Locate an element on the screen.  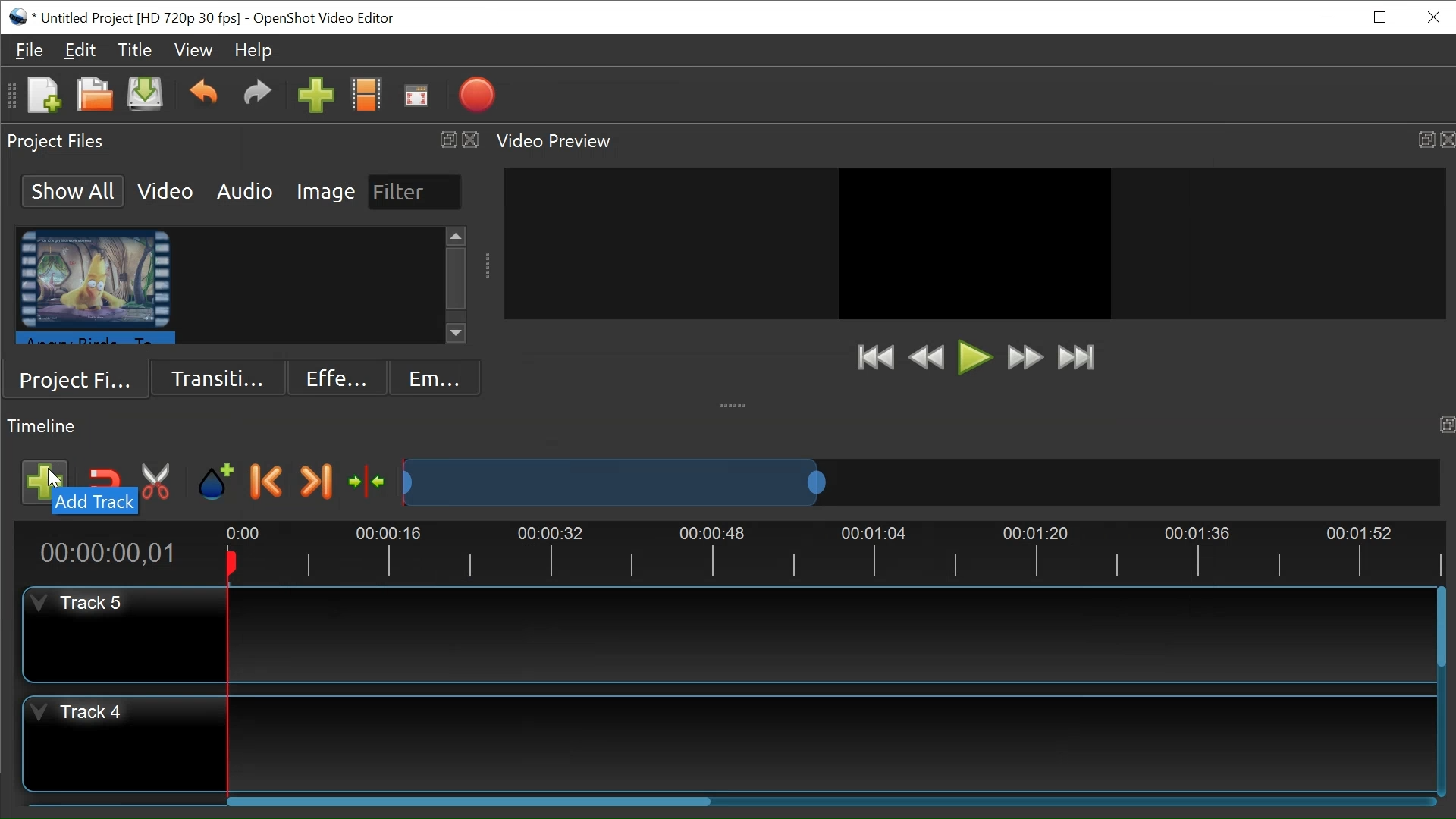
Transition is located at coordinates (220, 377).